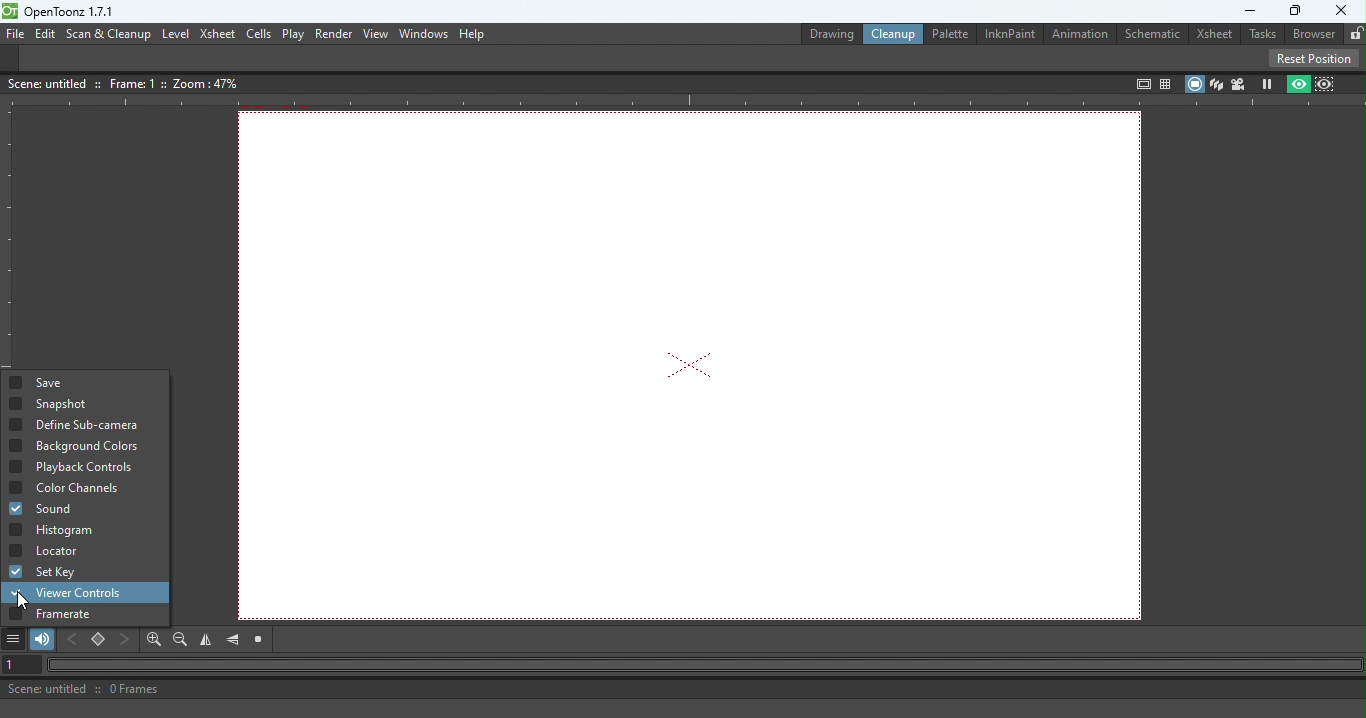 The image size is (1366, 718). Describe the element at coordinates (1013, 33) in the screenshot. I see `InknPaint` at that location.